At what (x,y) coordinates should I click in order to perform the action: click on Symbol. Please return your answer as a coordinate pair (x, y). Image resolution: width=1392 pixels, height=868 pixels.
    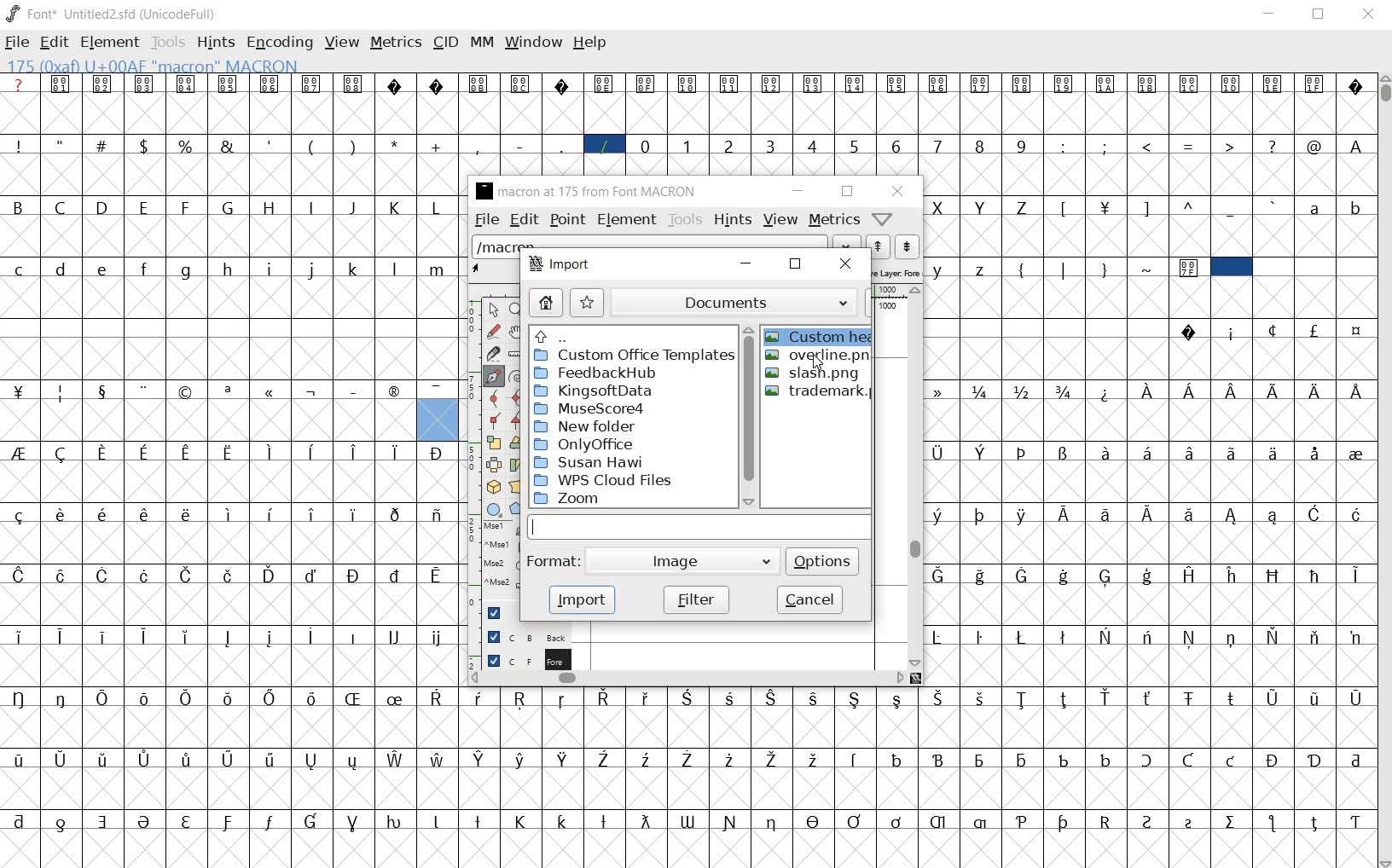
    Looking at the image, I should click on (940, 574).